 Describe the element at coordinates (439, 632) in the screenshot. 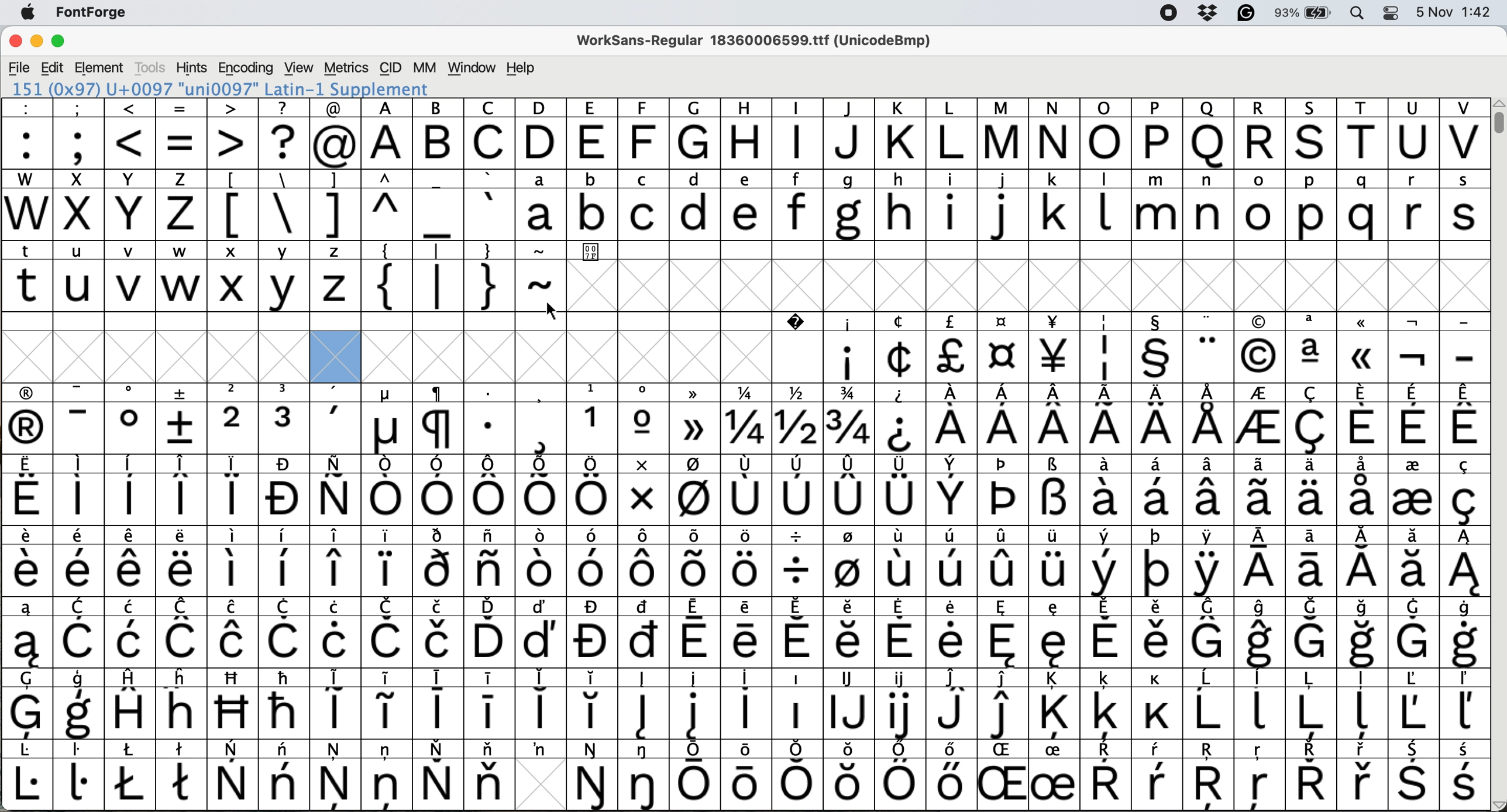

I see `symbol` at that location.